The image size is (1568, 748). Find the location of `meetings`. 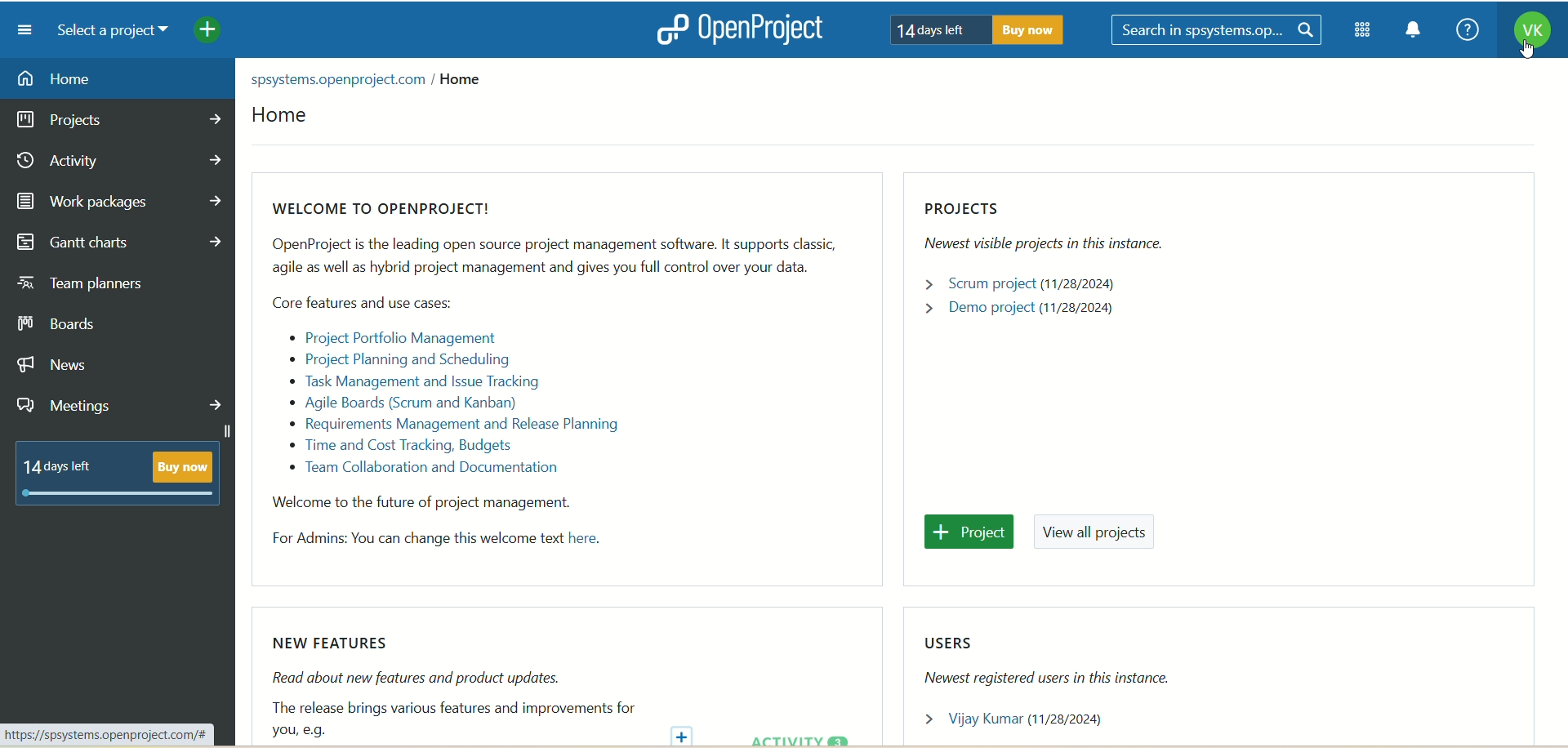

meetings is located at coordinates (123, 403).